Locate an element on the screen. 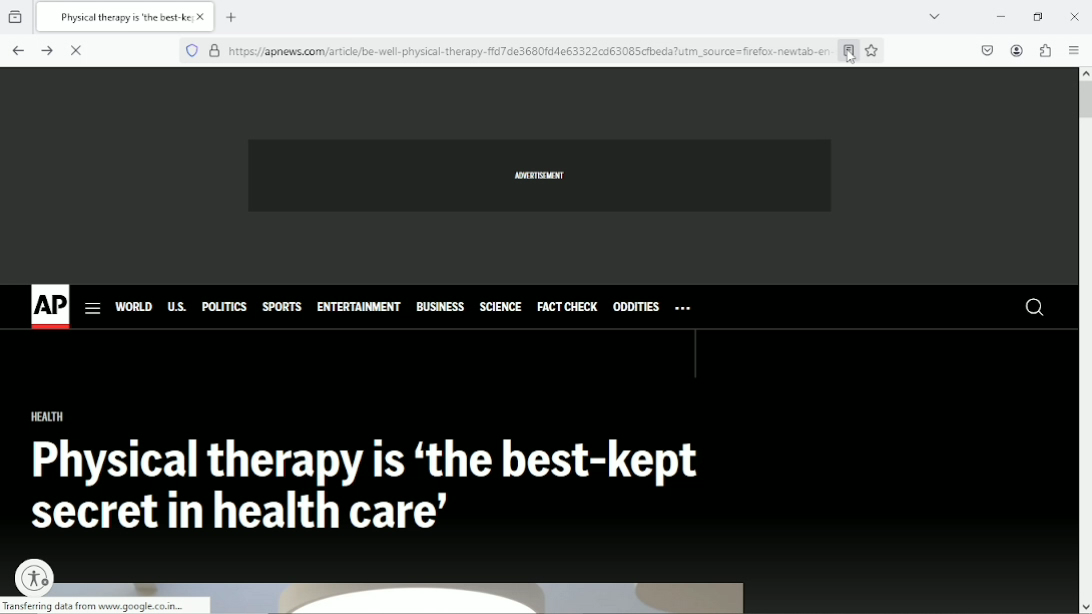 The height and width of the screenshot is (614, 1092). OPTIONS is located at coordinates (683, 308).